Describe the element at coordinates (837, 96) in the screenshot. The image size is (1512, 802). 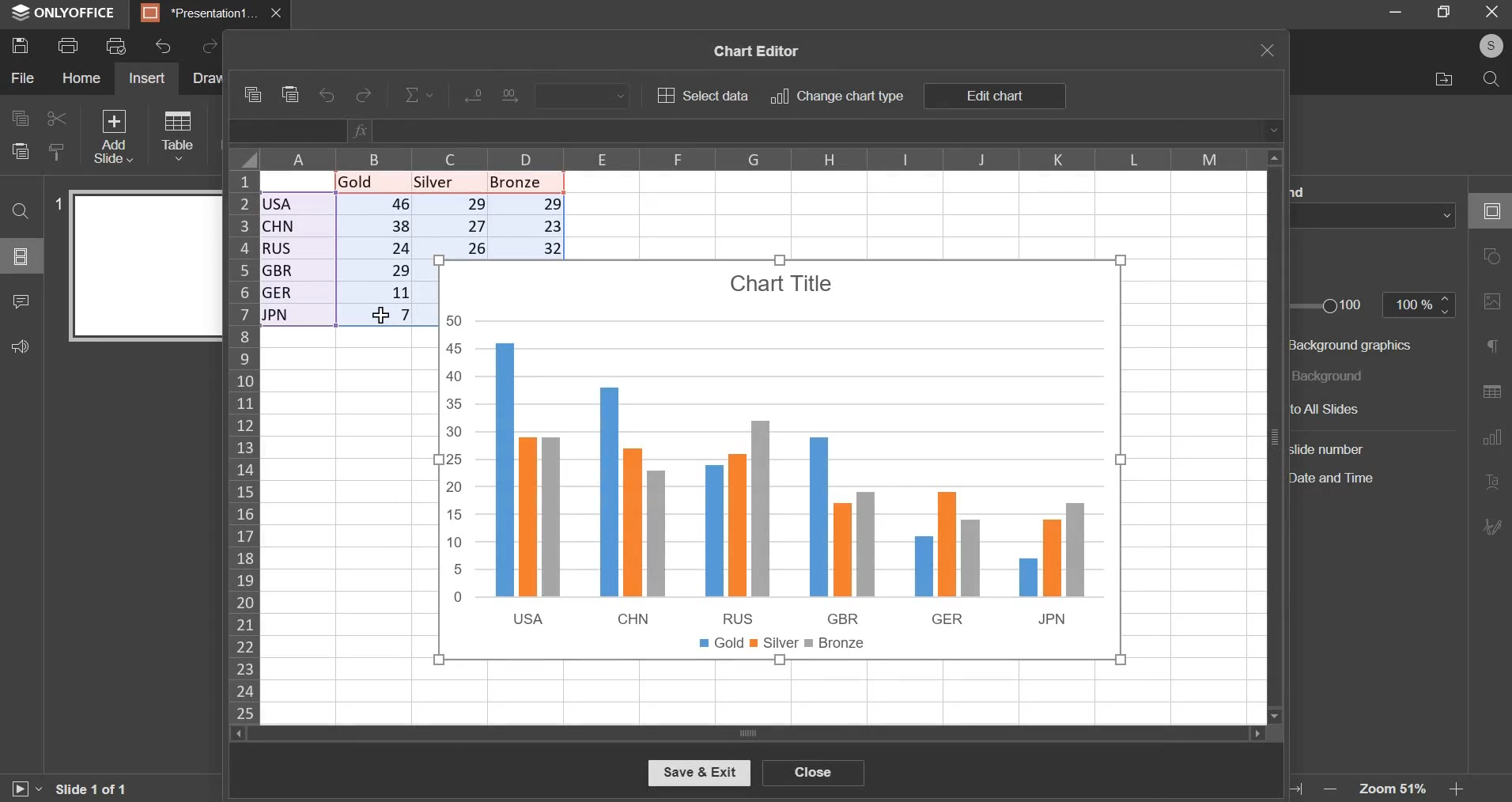
I see `change chart type` at that location.